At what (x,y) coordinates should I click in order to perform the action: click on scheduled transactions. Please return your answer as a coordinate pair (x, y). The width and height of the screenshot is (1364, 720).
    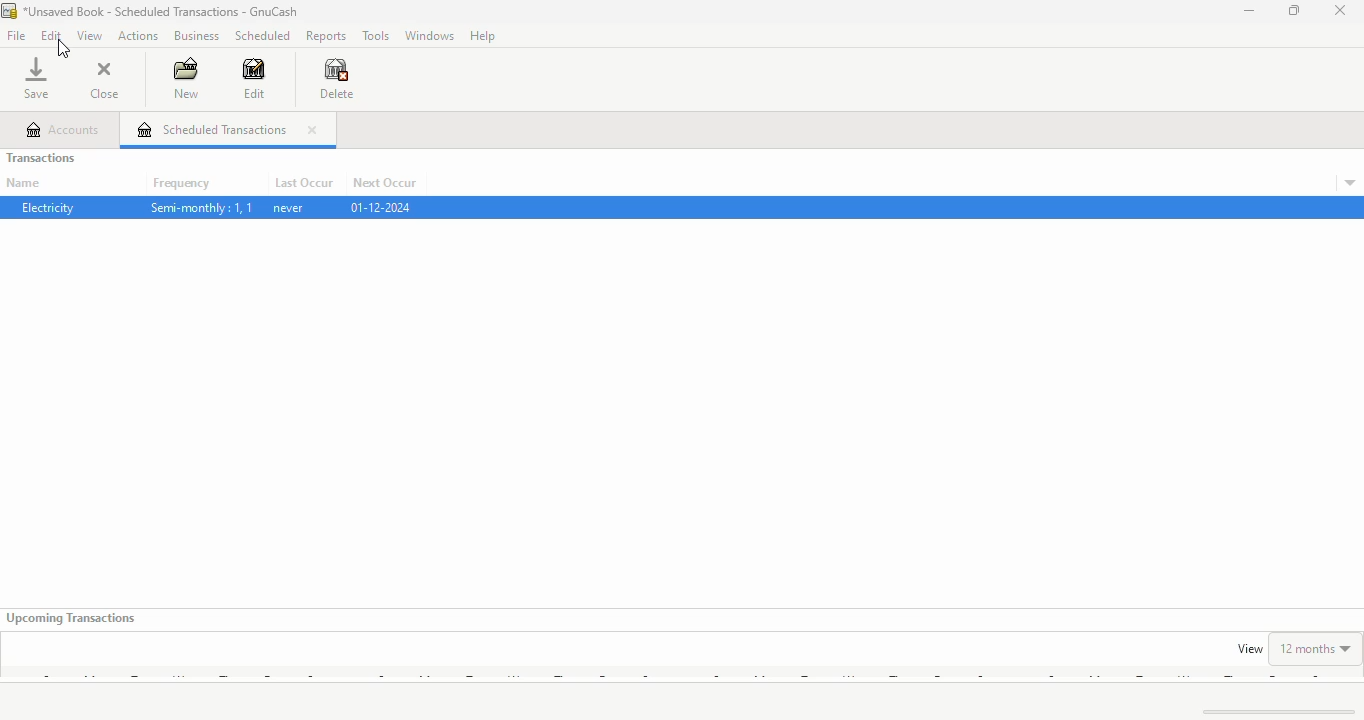
    Looking at the image, I should click on (212, 129).